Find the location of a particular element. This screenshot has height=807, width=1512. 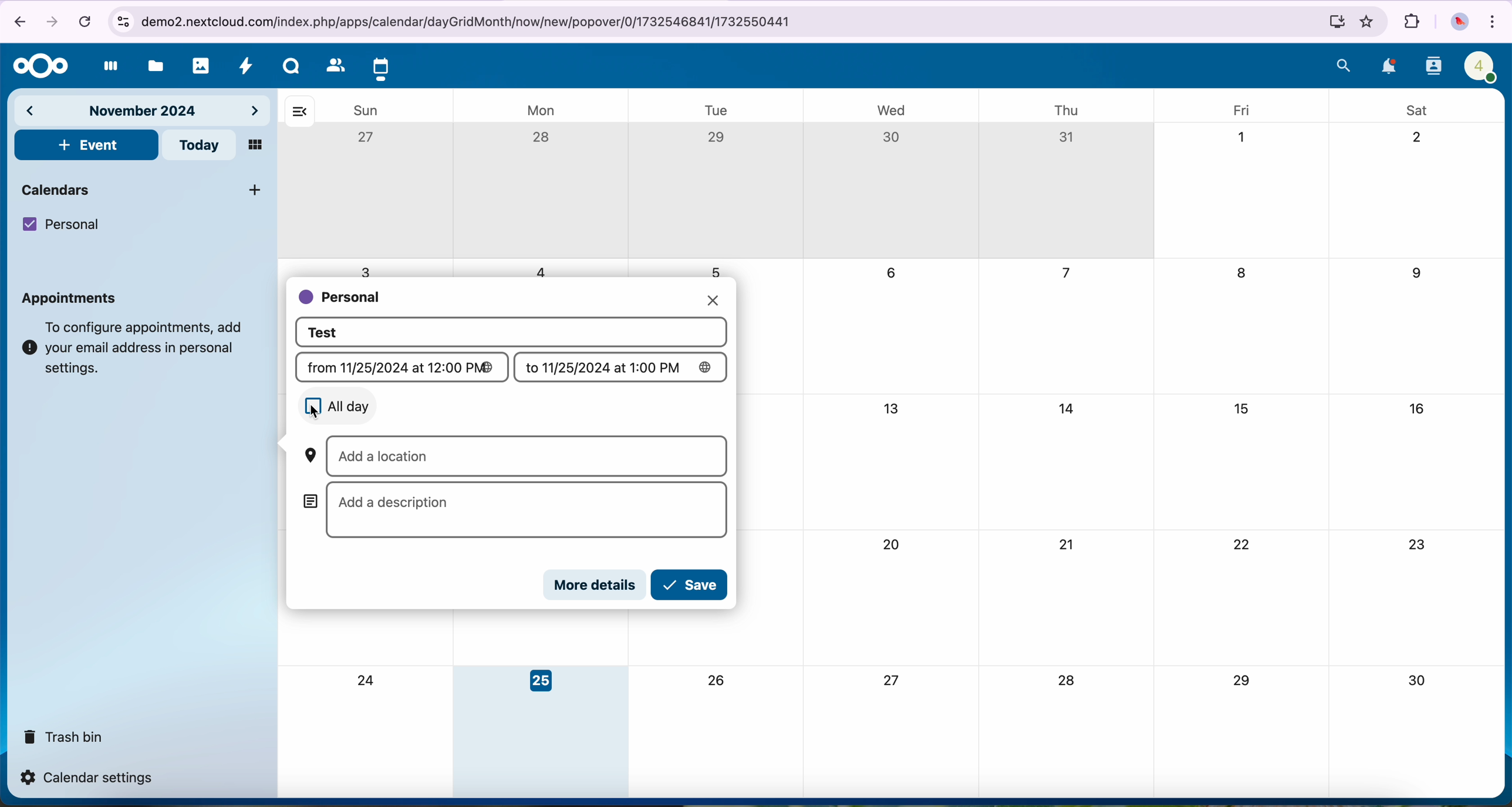

more details is located at coordinates (596, 585).